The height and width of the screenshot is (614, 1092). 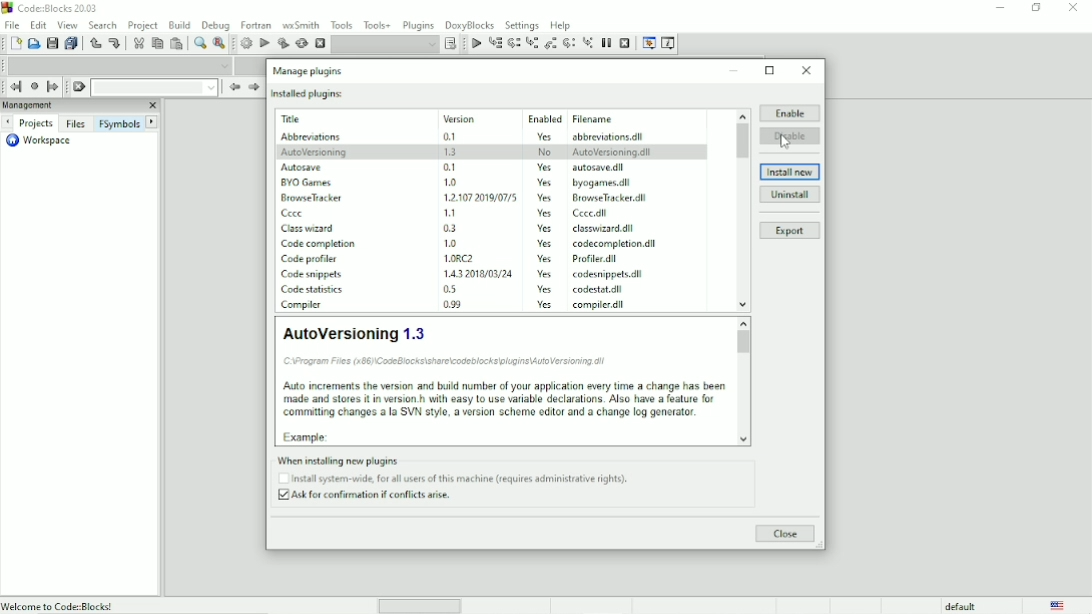 What do you see at coordinates (452, 304) in the screenshot?
I see `0.99` at bounding box center [452, 304].